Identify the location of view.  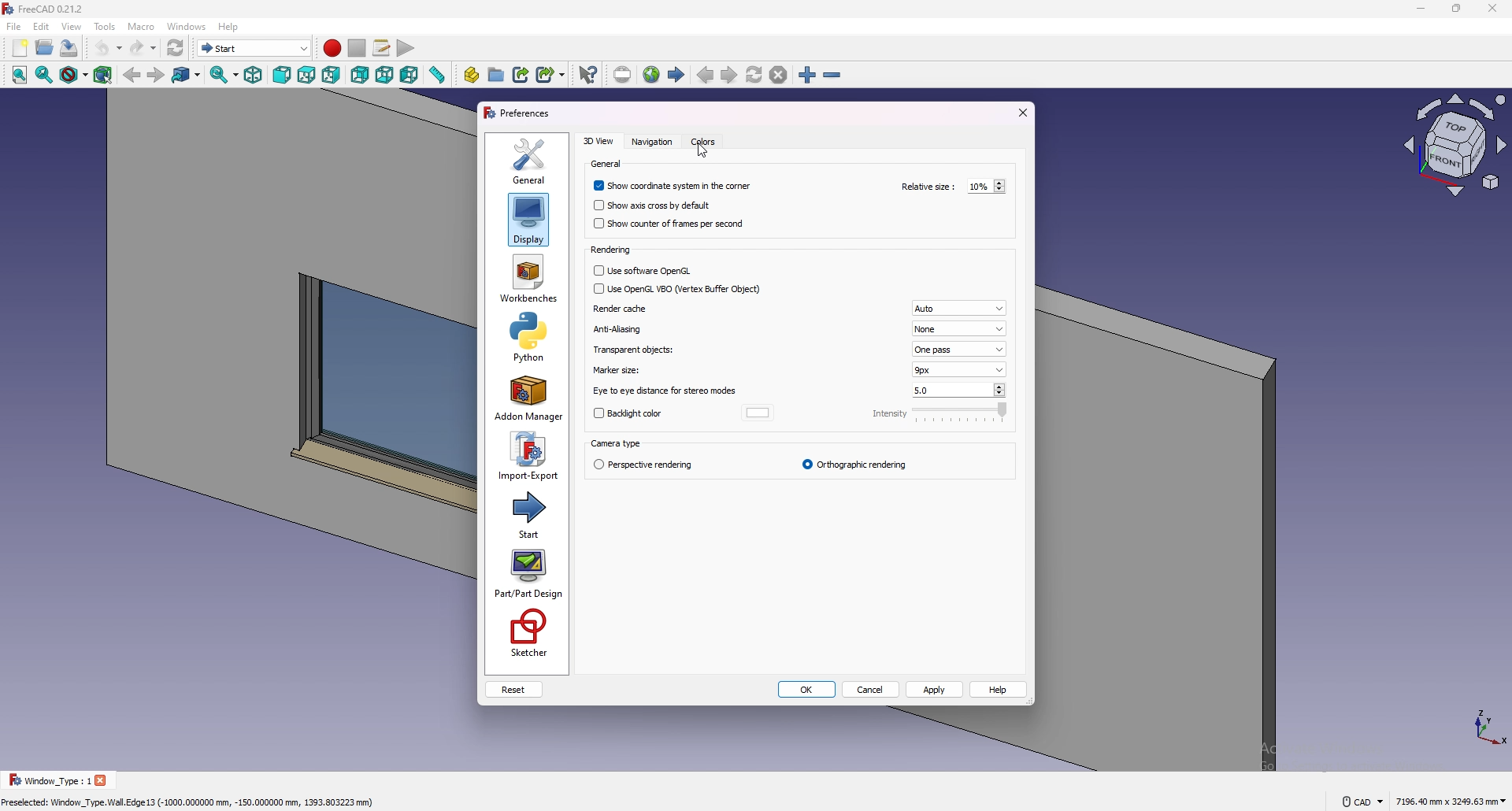
(72, 26).